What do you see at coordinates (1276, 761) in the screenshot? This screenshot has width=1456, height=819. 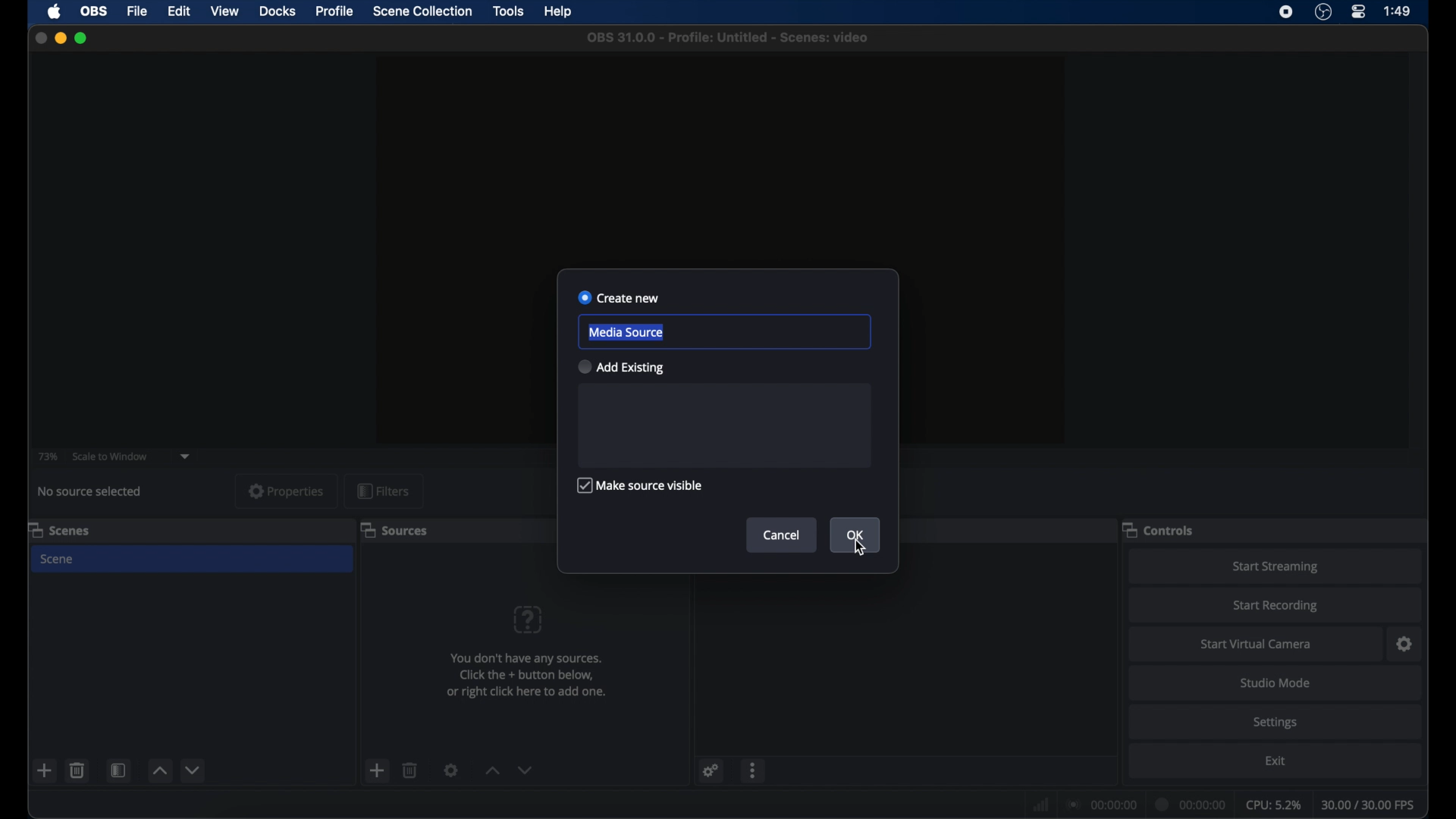 I see `exit` at bounding box center [1276, 761].